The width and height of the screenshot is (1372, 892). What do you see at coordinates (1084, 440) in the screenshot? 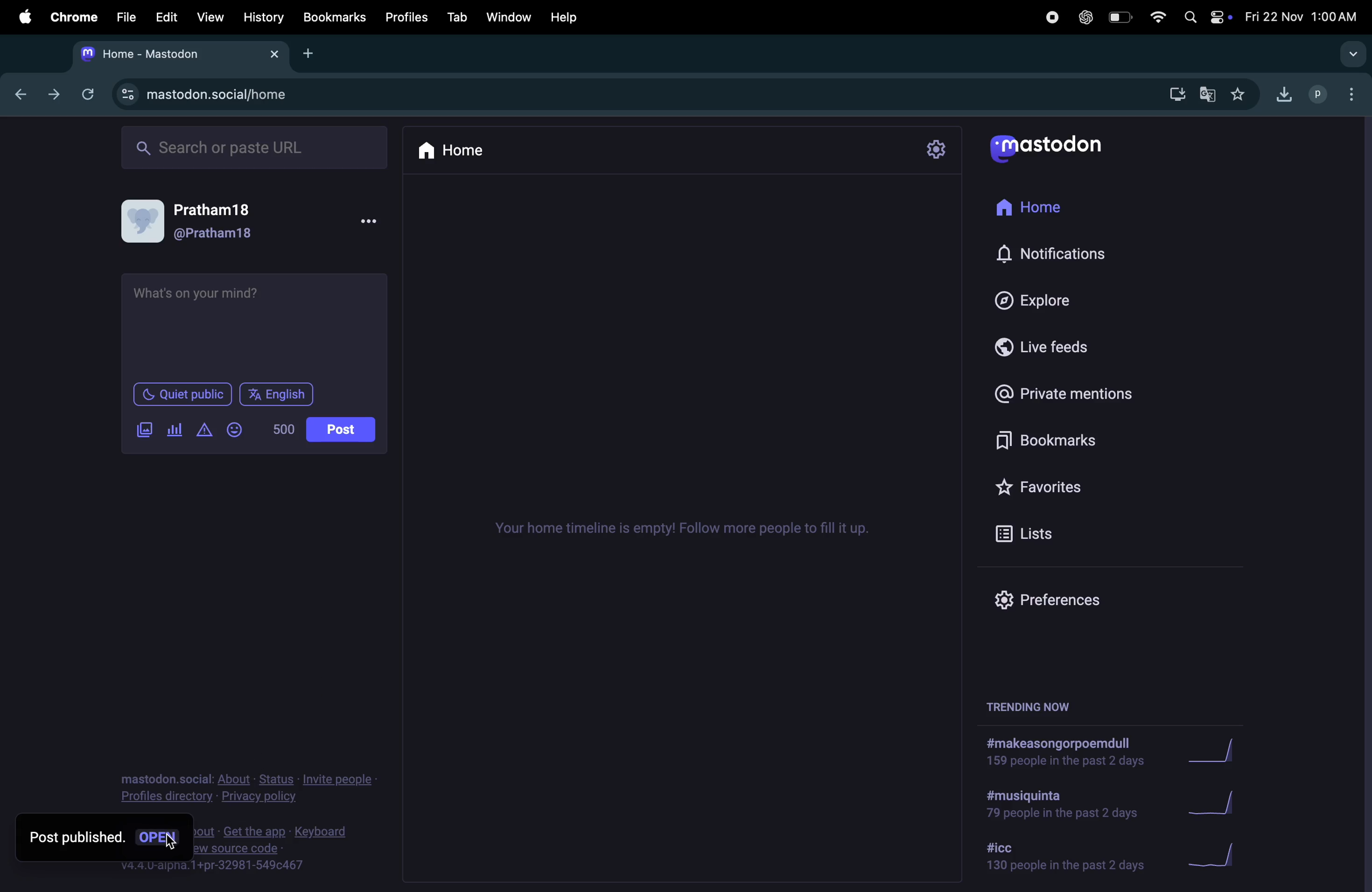
I see `bookmarks` at bounding box center [1084, 440].